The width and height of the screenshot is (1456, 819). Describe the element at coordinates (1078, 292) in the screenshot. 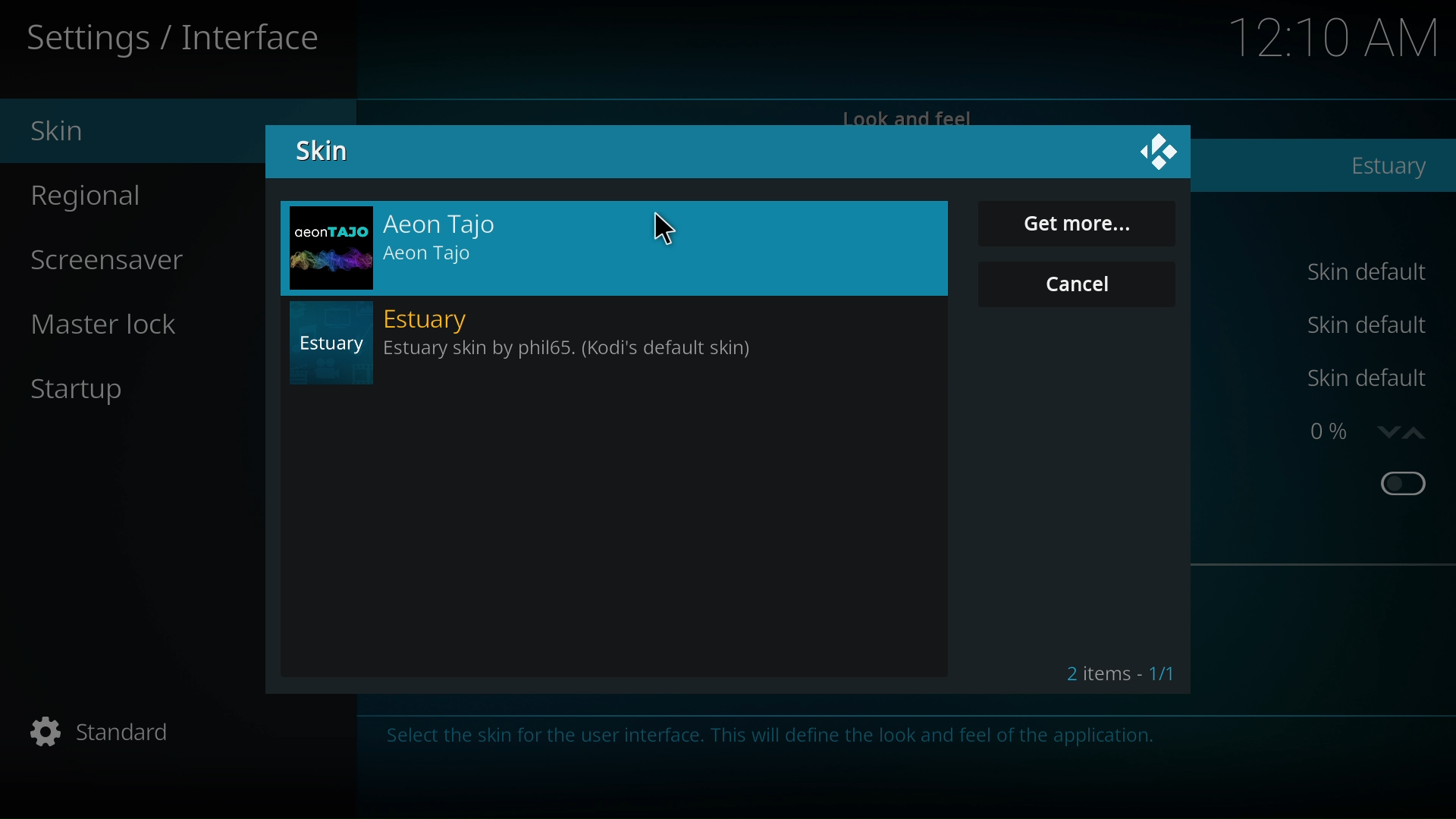

I see `cancel` at that location.